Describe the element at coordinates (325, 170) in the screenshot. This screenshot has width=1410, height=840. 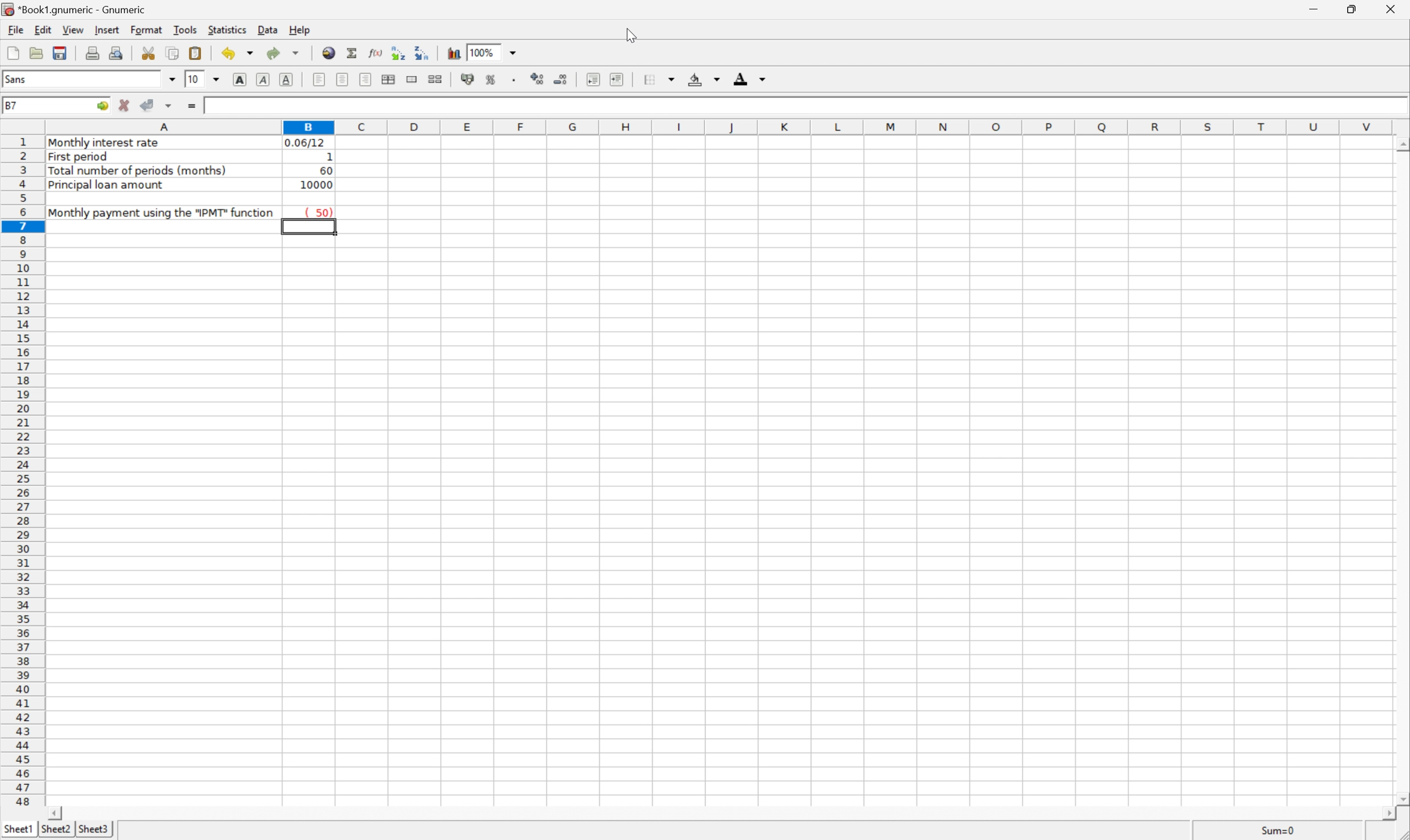
I see `60` at that location.